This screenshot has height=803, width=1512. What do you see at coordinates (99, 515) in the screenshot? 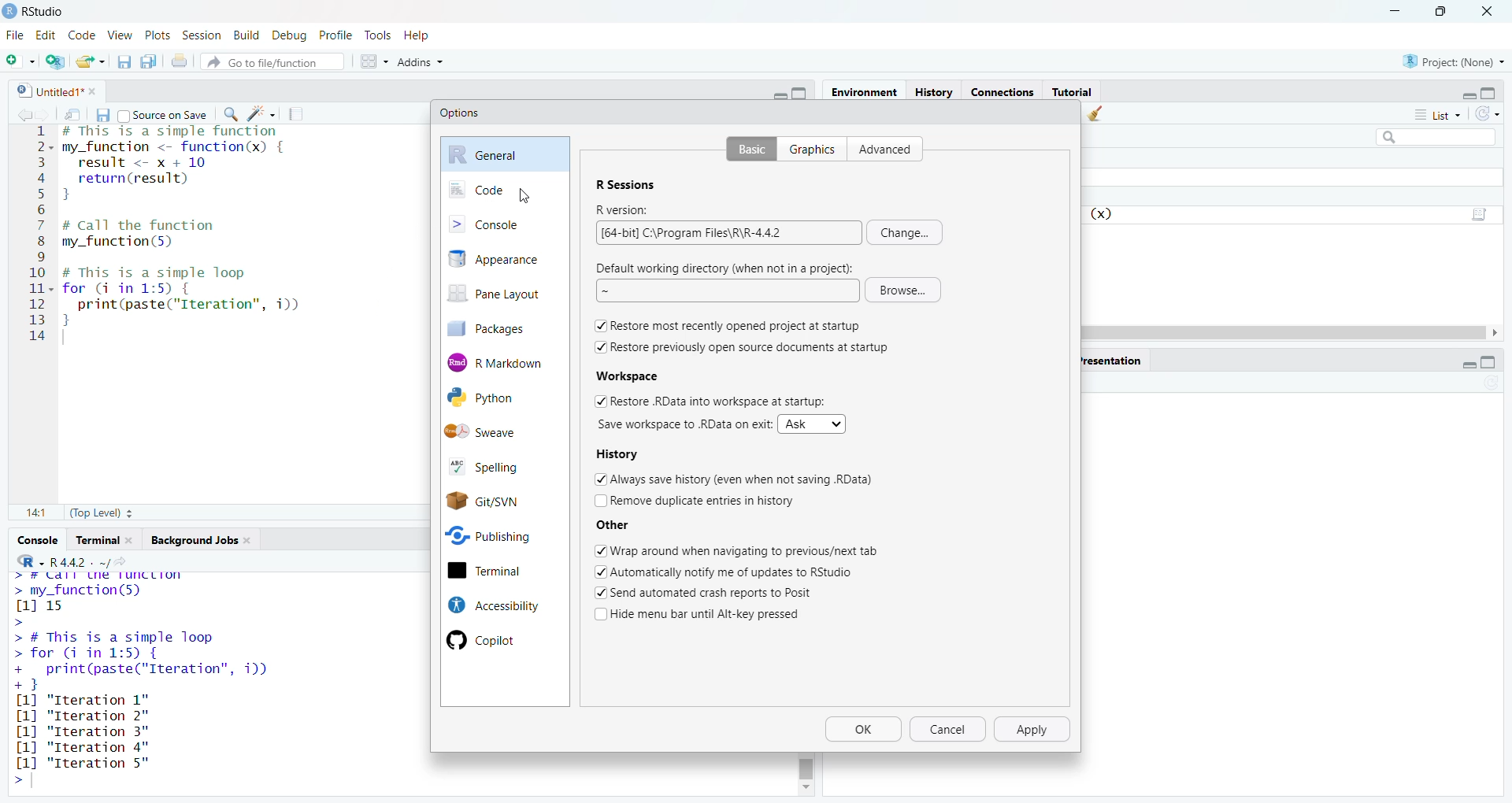
I see `(Top Level)` at bounding box center [99, 515].